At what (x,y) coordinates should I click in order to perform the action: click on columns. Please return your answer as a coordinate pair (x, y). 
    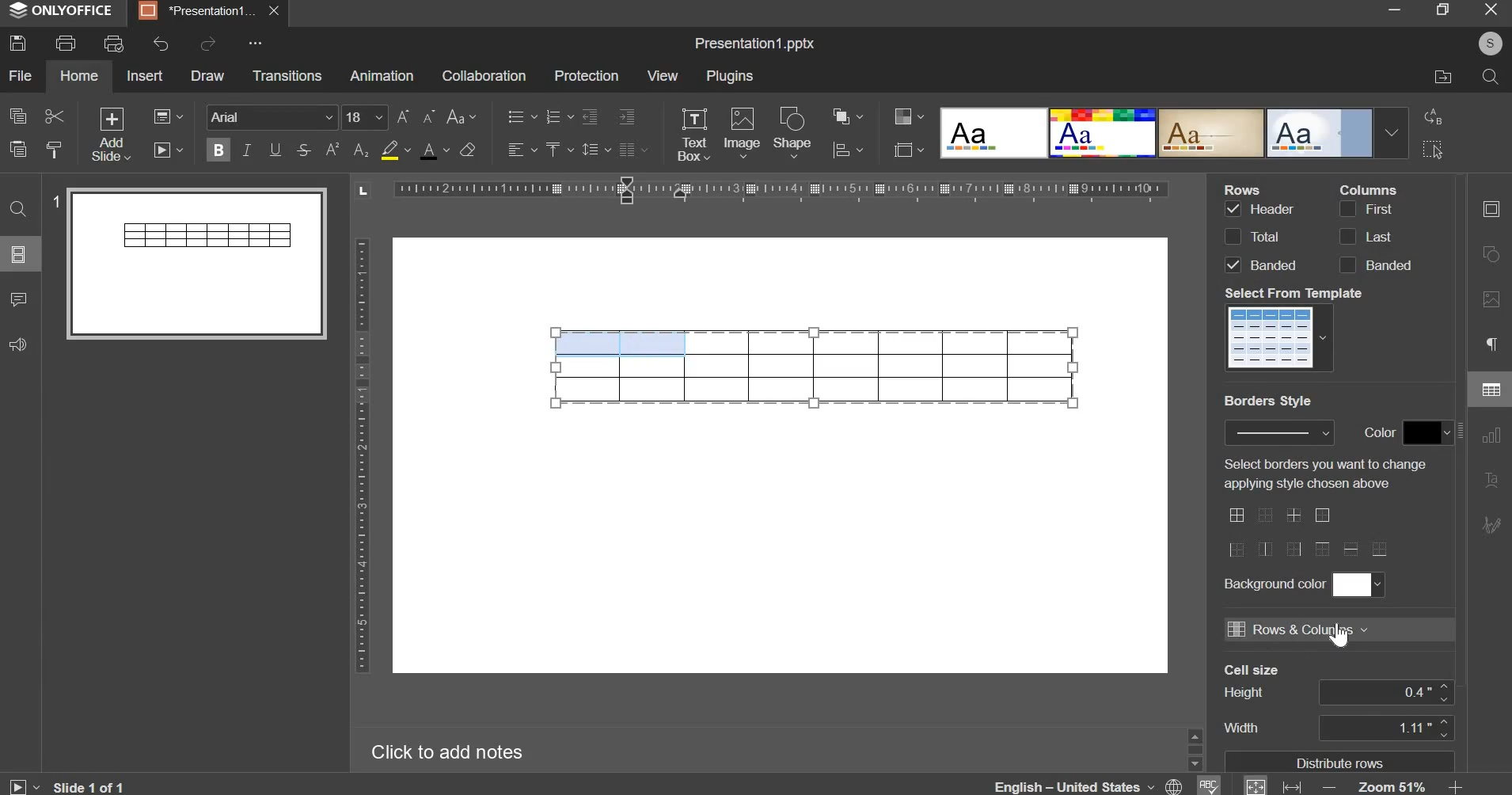
    Looking at the image, I should click on (1373, 236).